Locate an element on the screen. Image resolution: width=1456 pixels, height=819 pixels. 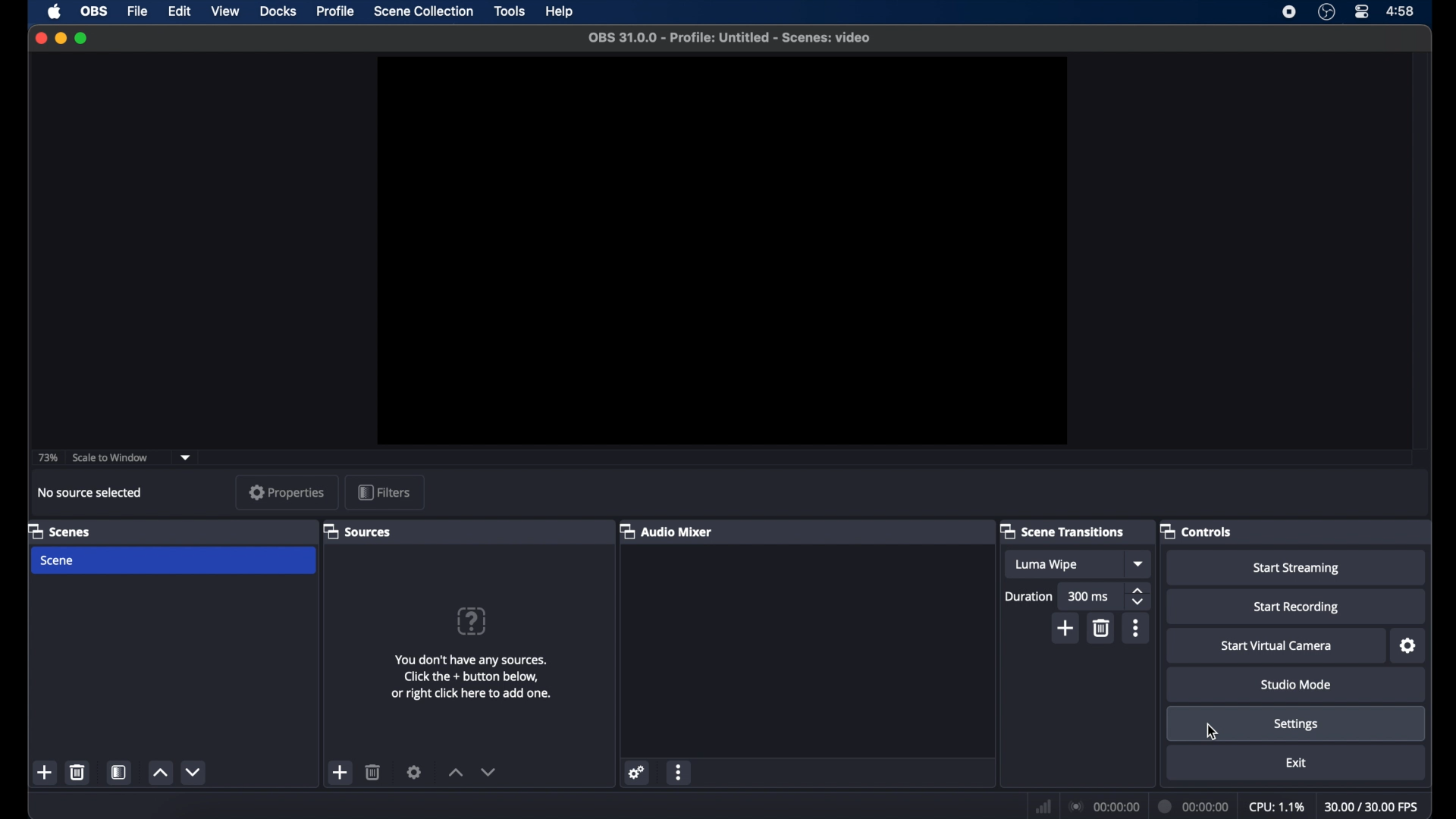
settings is located at coordinates (1296, 724).